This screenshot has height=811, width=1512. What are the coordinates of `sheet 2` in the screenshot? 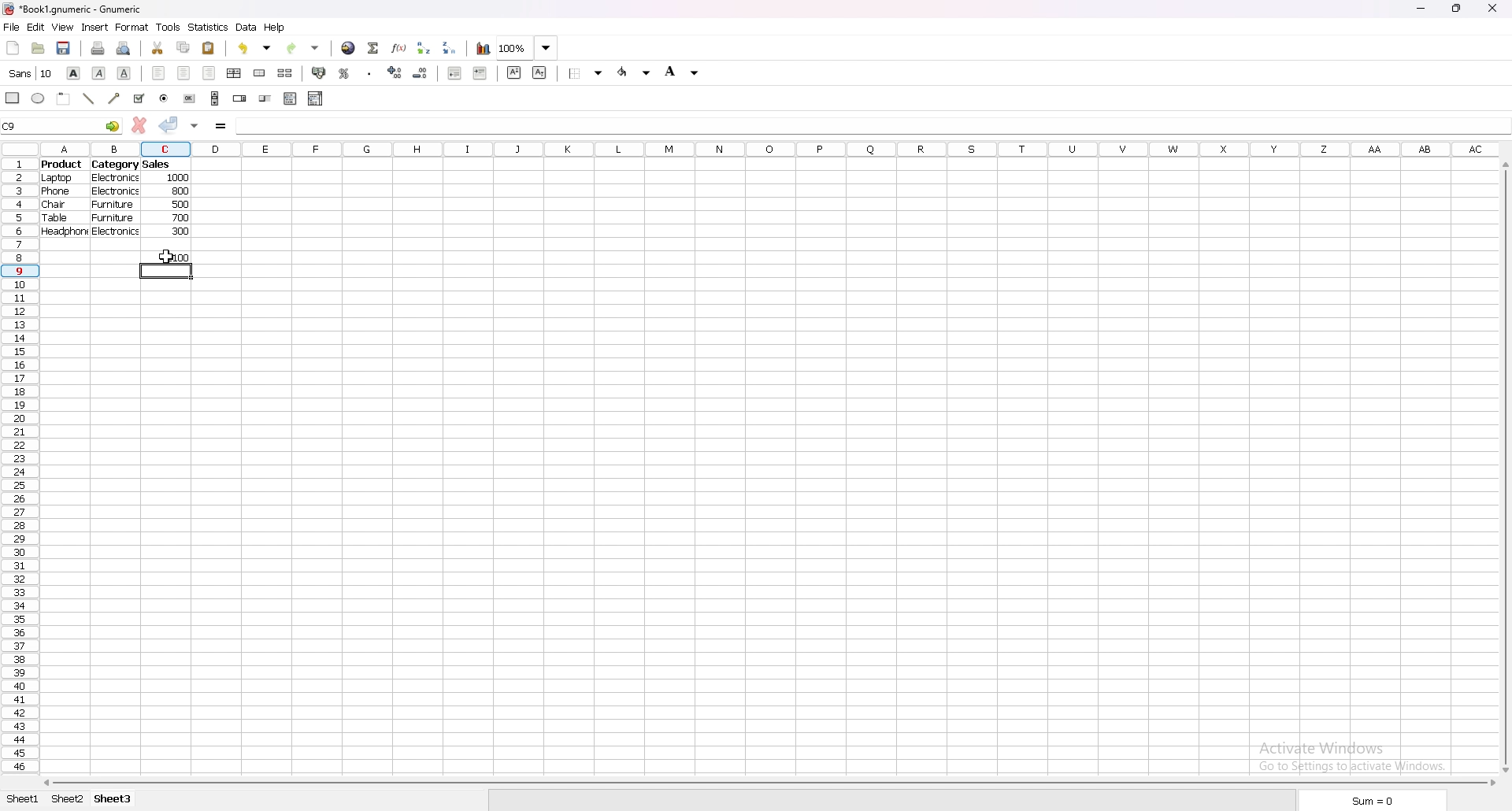 It's located at (67, 800).